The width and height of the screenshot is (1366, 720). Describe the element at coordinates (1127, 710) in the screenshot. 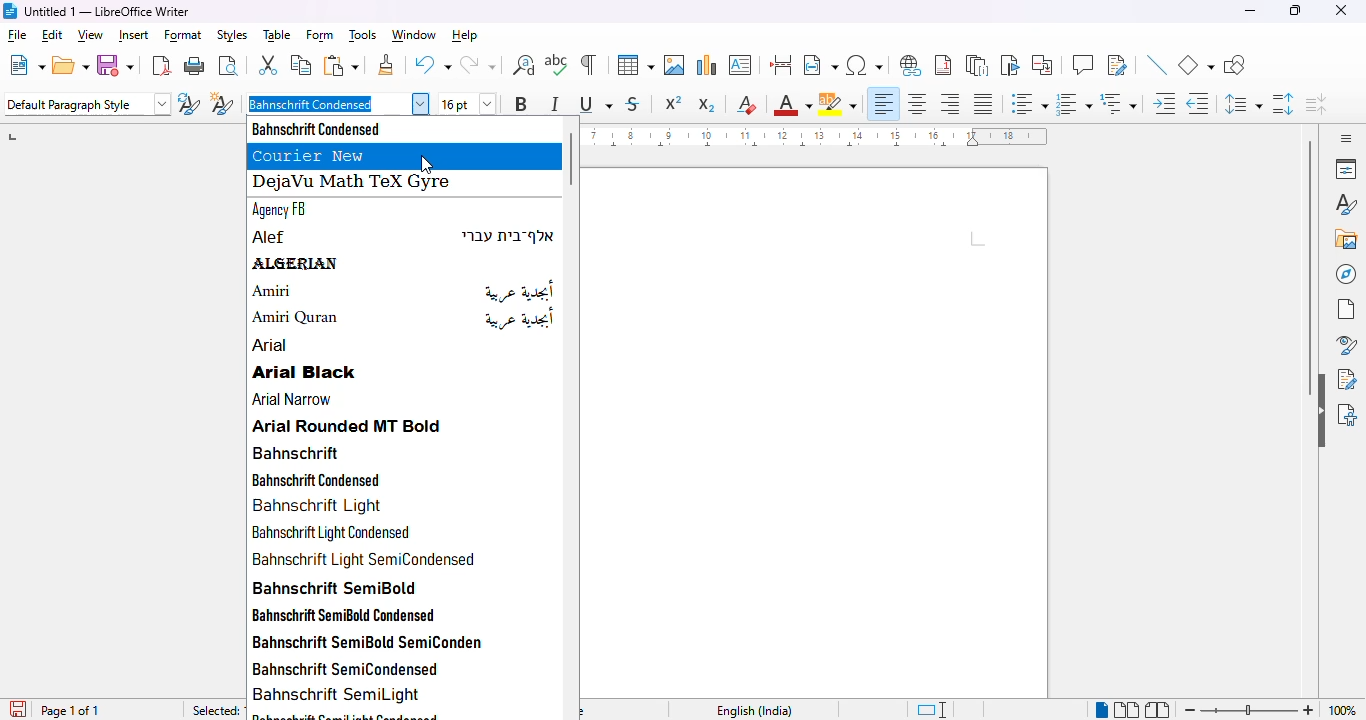

I see `multi page view` at that location.